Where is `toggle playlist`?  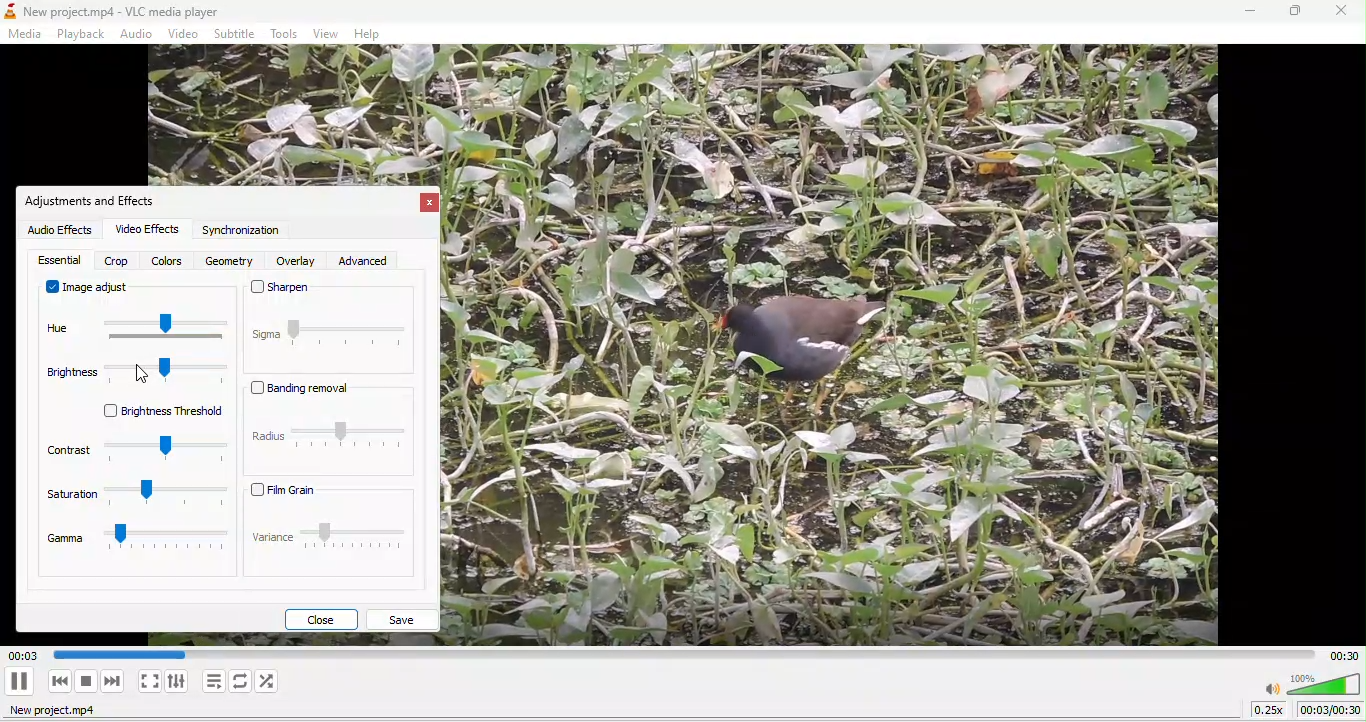
toggle playlist is located at coordinates (213, 680).